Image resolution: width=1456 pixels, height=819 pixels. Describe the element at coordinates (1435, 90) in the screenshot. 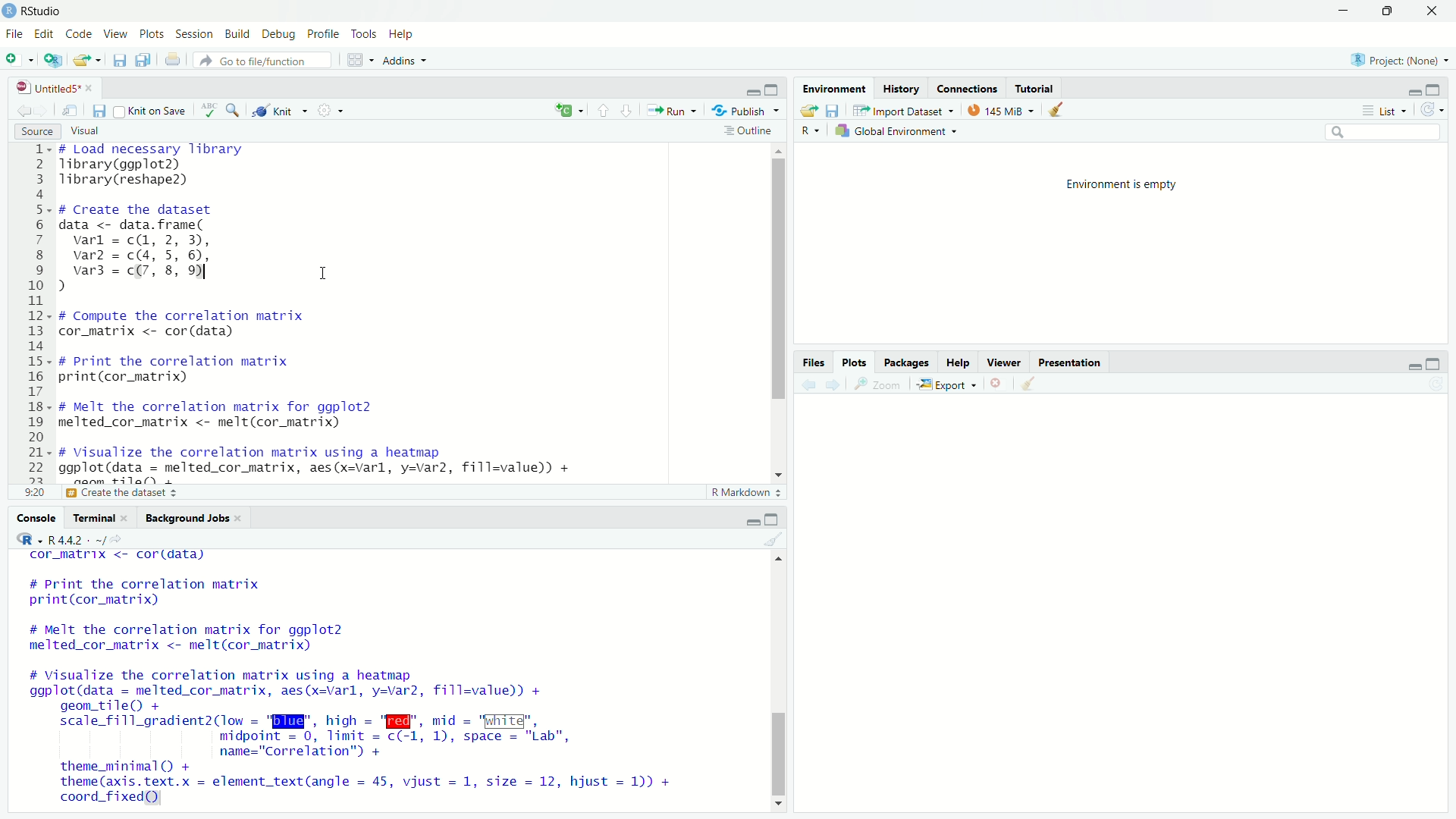

I see `maximize` at that location.